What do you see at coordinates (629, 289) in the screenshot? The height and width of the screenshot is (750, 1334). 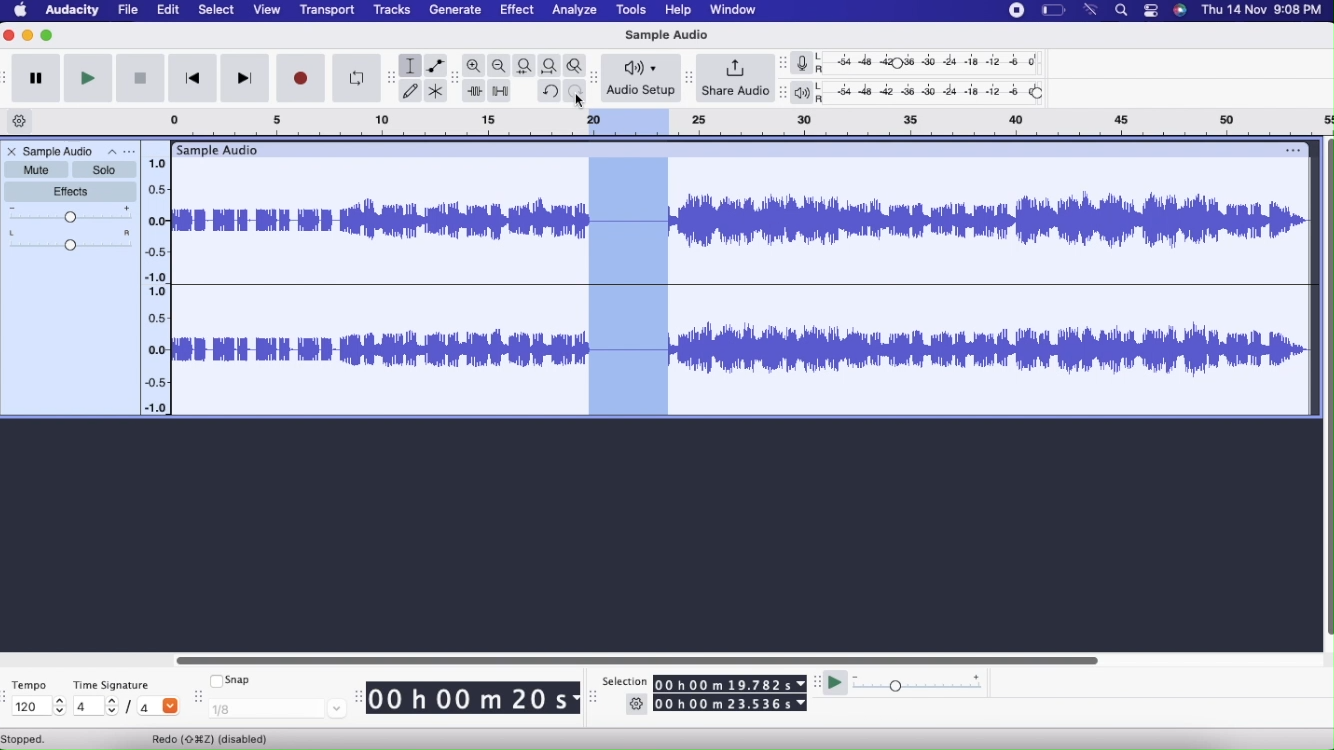 I see `Edit` at bounding box center [629, 289].